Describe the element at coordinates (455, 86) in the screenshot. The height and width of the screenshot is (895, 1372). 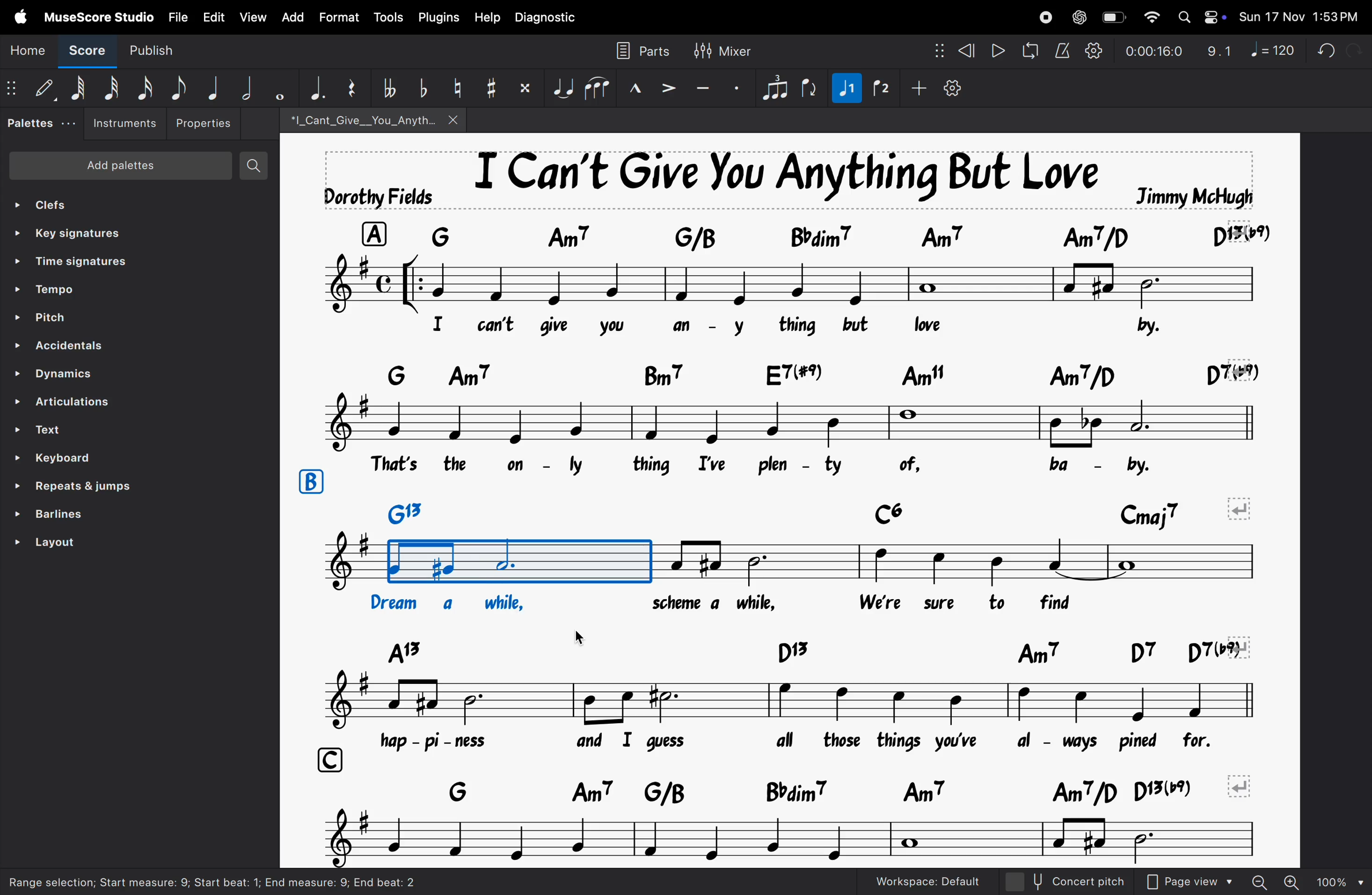
I see `toggle natural` at that location.